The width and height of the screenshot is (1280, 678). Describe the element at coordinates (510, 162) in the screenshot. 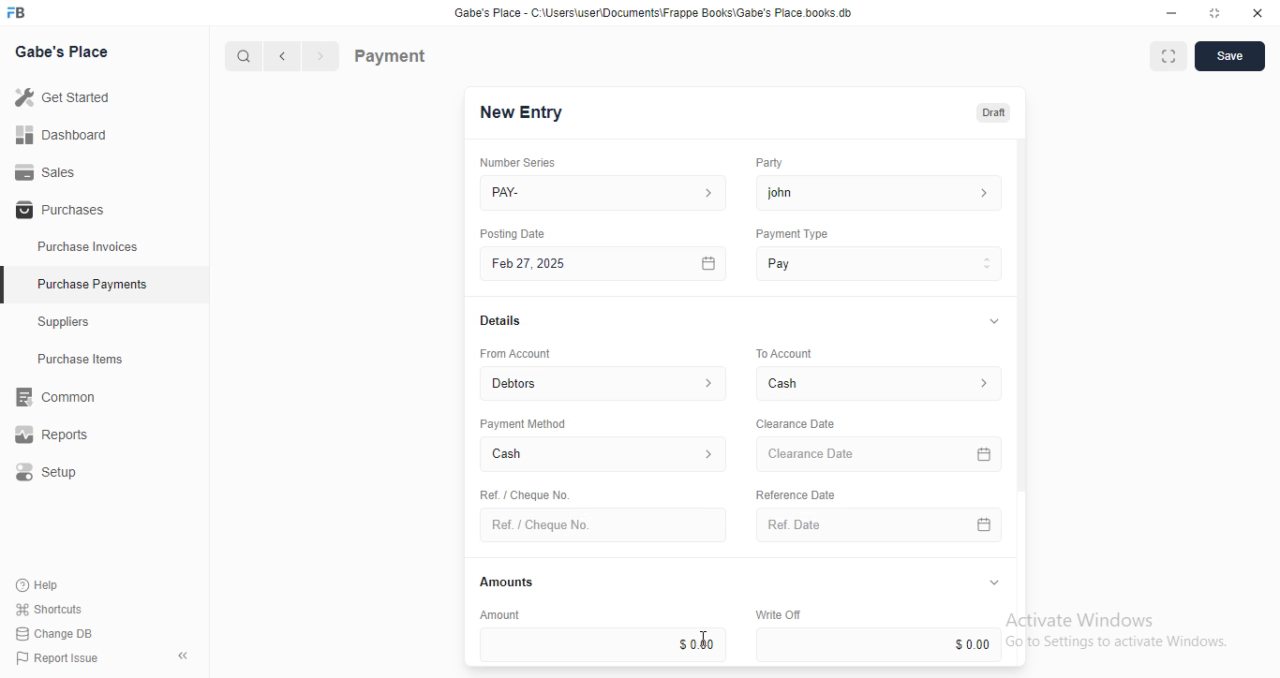

I see `Number Series` at that location.